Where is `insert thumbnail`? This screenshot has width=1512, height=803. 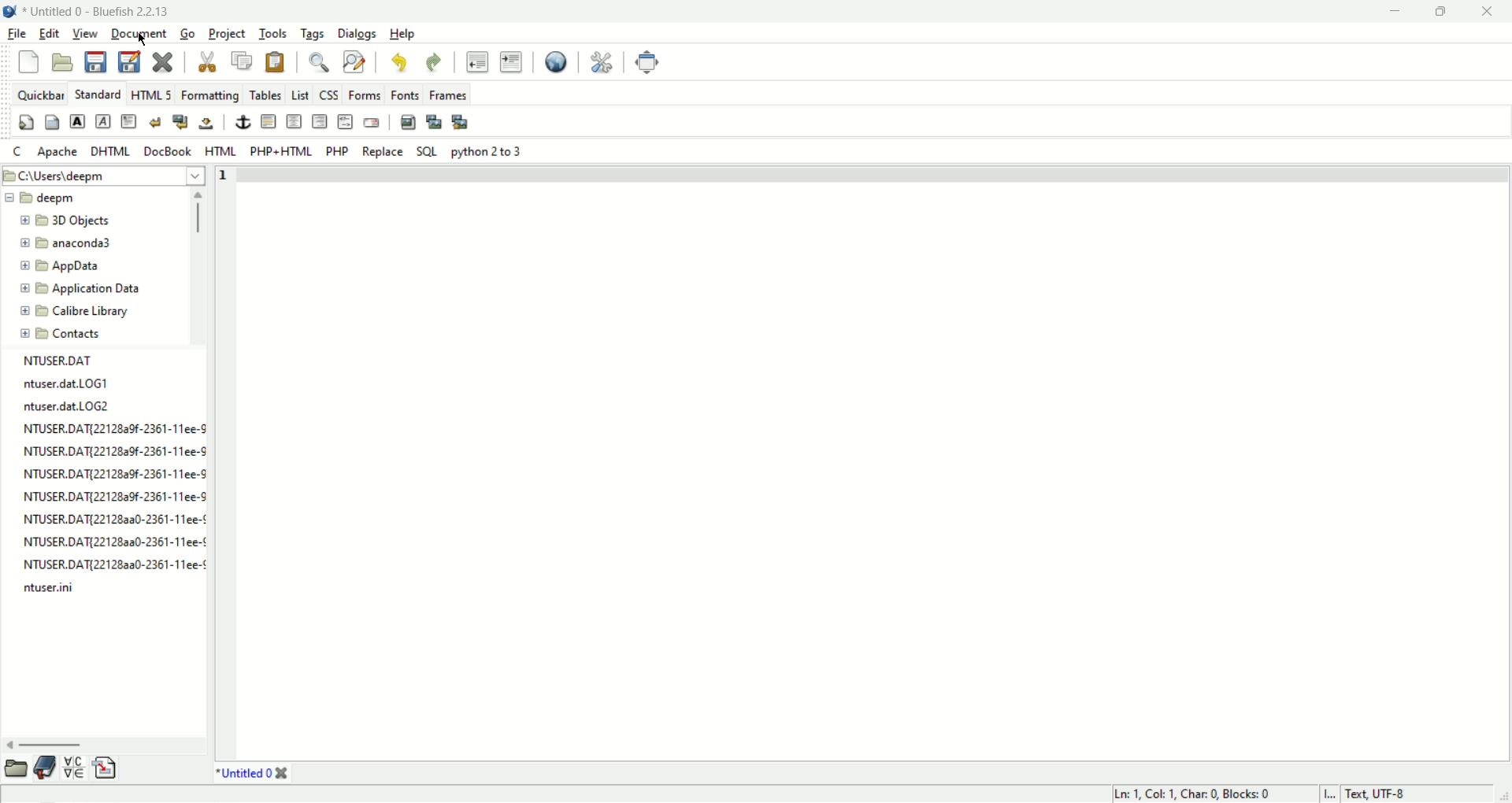 insert thumbnail is located at coordinates (432, 121).